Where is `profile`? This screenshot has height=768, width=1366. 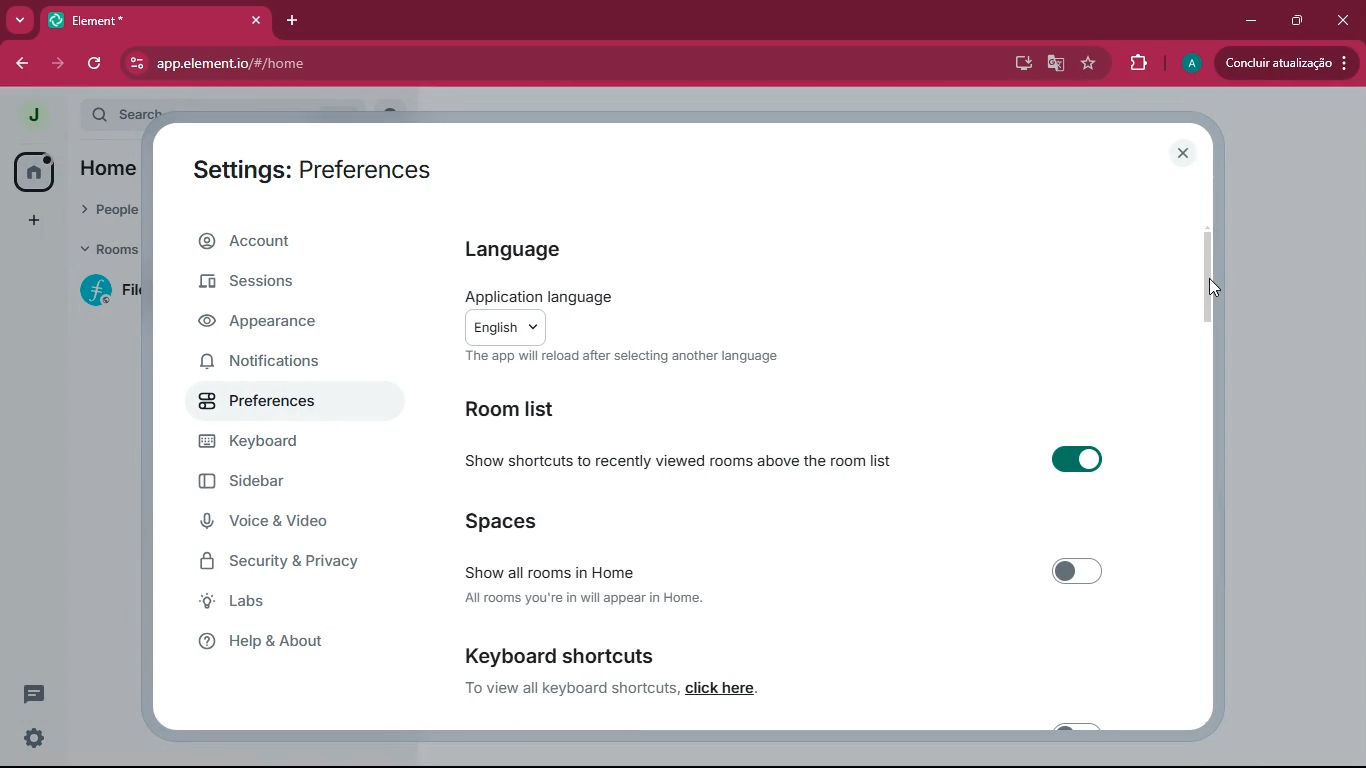 profile is located at coordinates (1188, 64).